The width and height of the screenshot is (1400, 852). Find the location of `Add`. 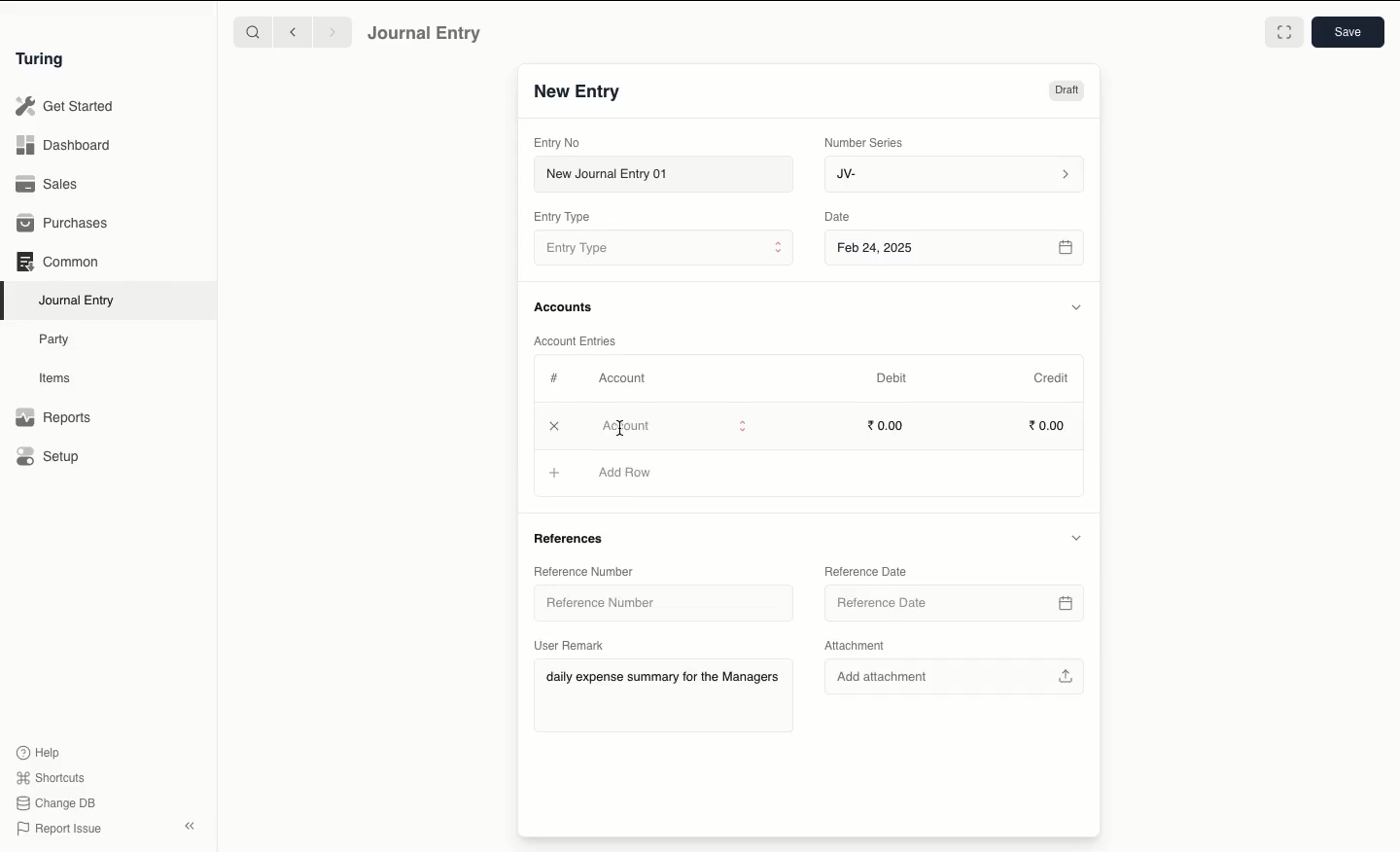

Add is located at coordinates (555, 426).